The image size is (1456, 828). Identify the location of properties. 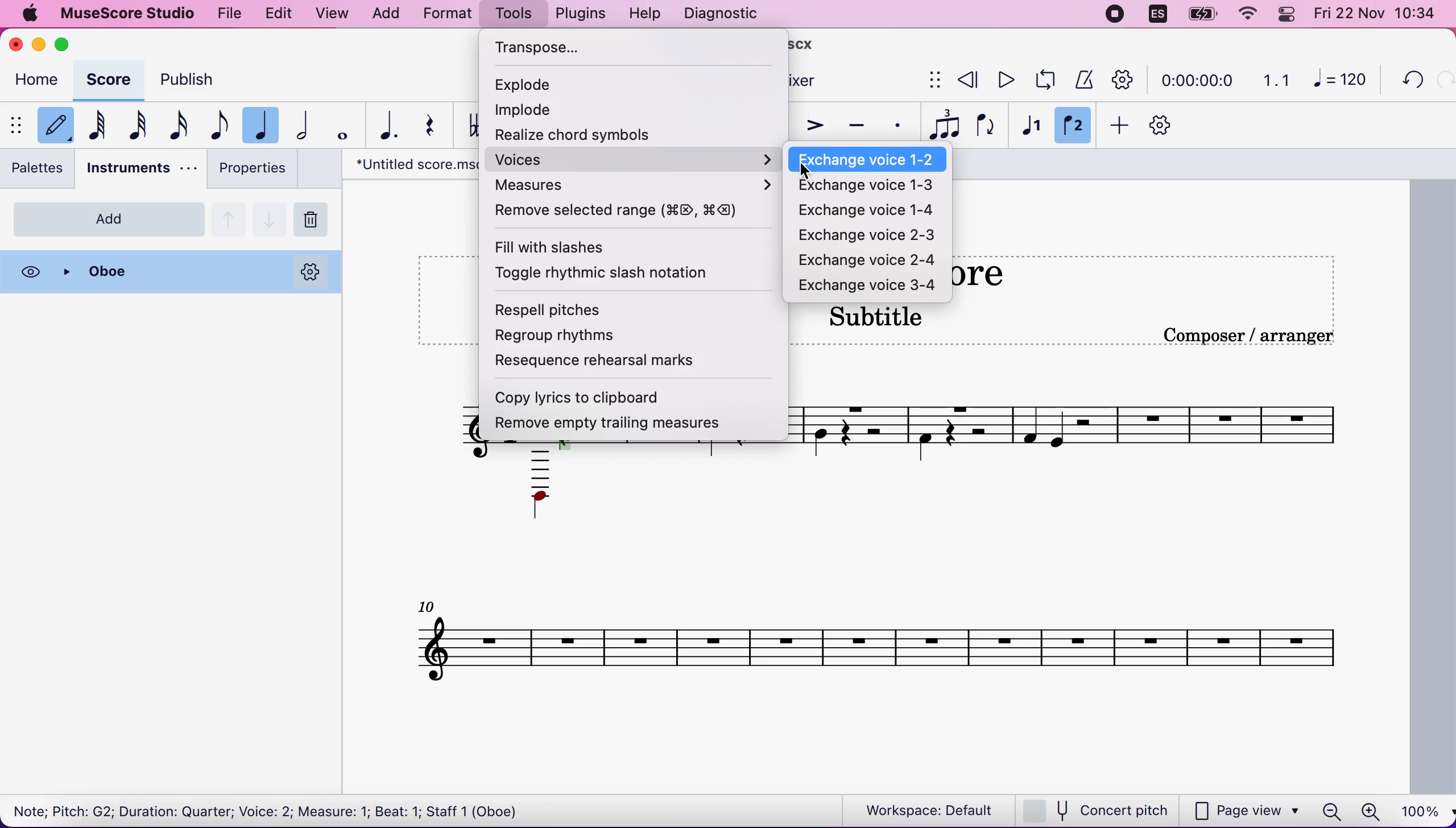
(256, 171).